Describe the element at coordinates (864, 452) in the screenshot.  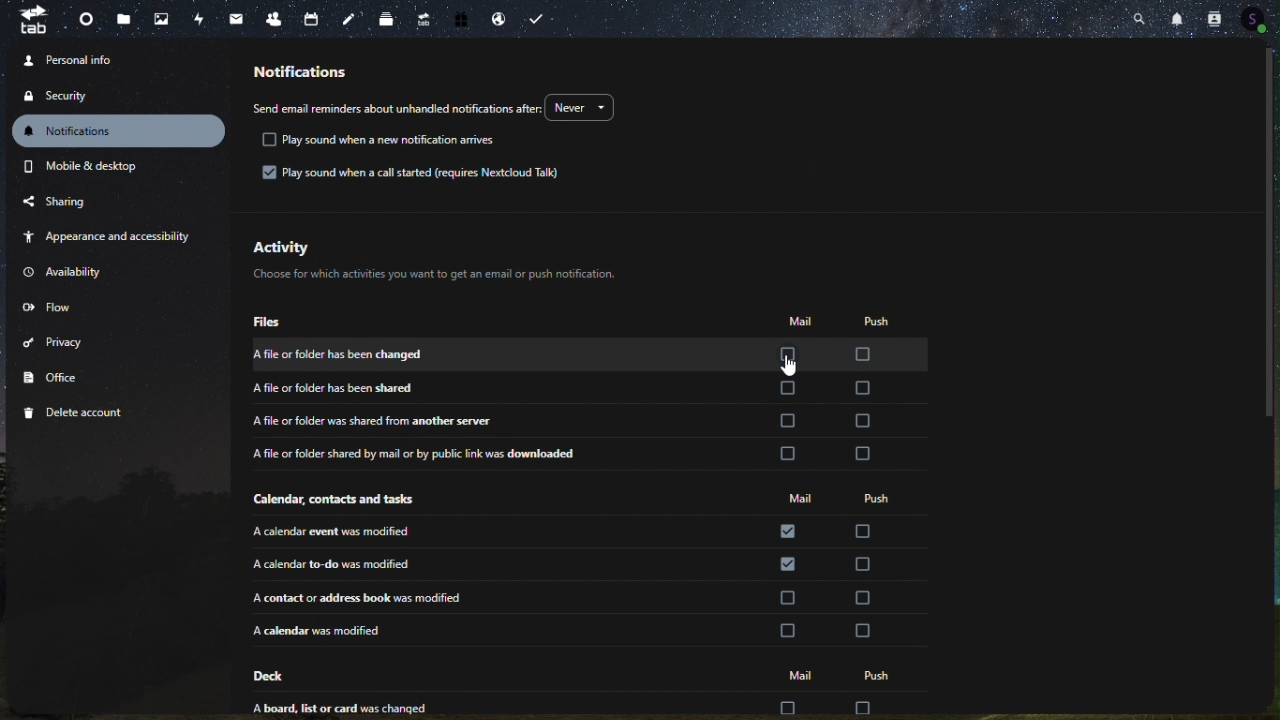
I see `check box` at that location.